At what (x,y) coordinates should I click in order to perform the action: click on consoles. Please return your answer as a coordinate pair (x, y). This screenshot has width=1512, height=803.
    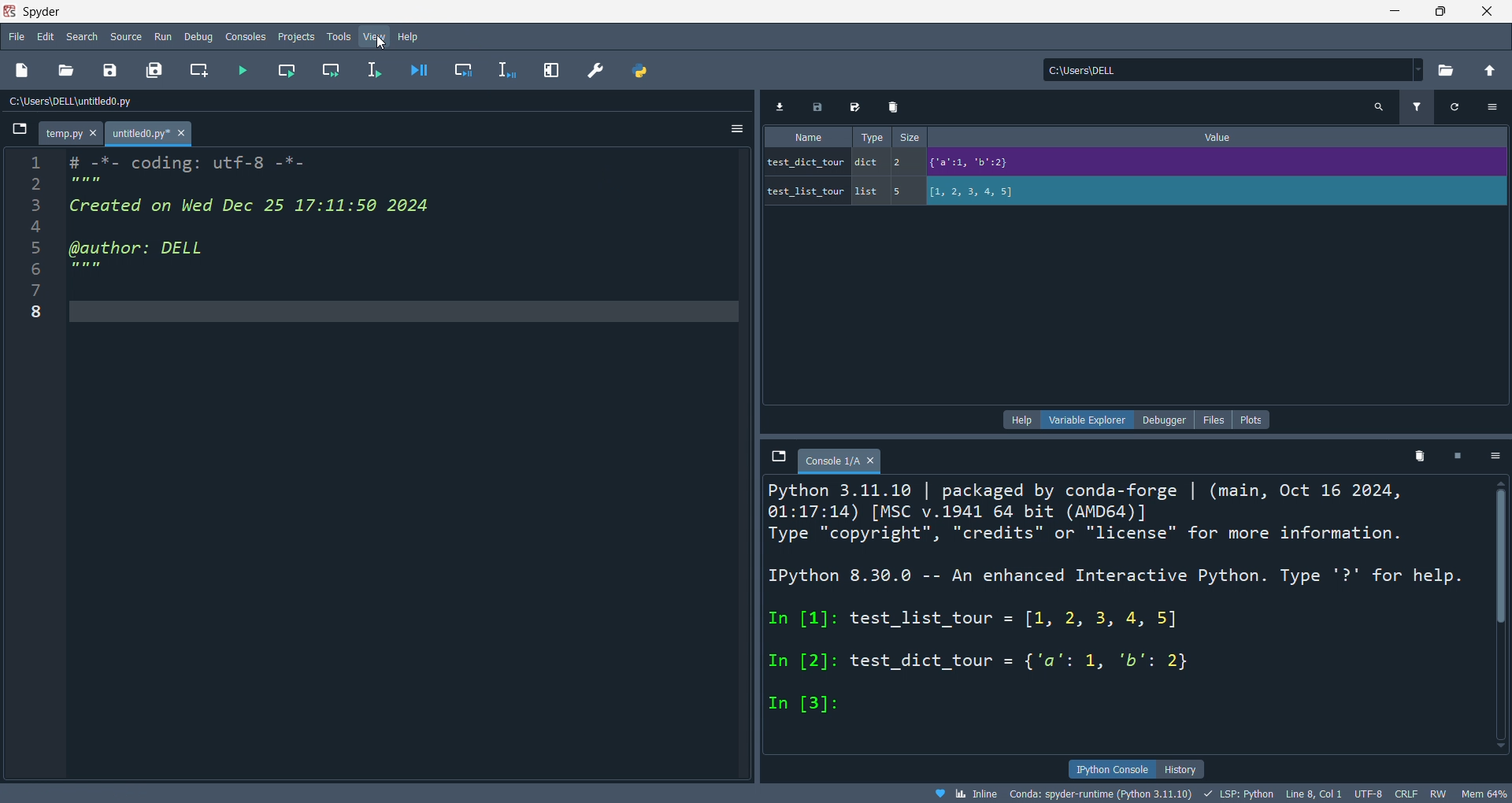
    Looking at the image, I should click on (248, 35).